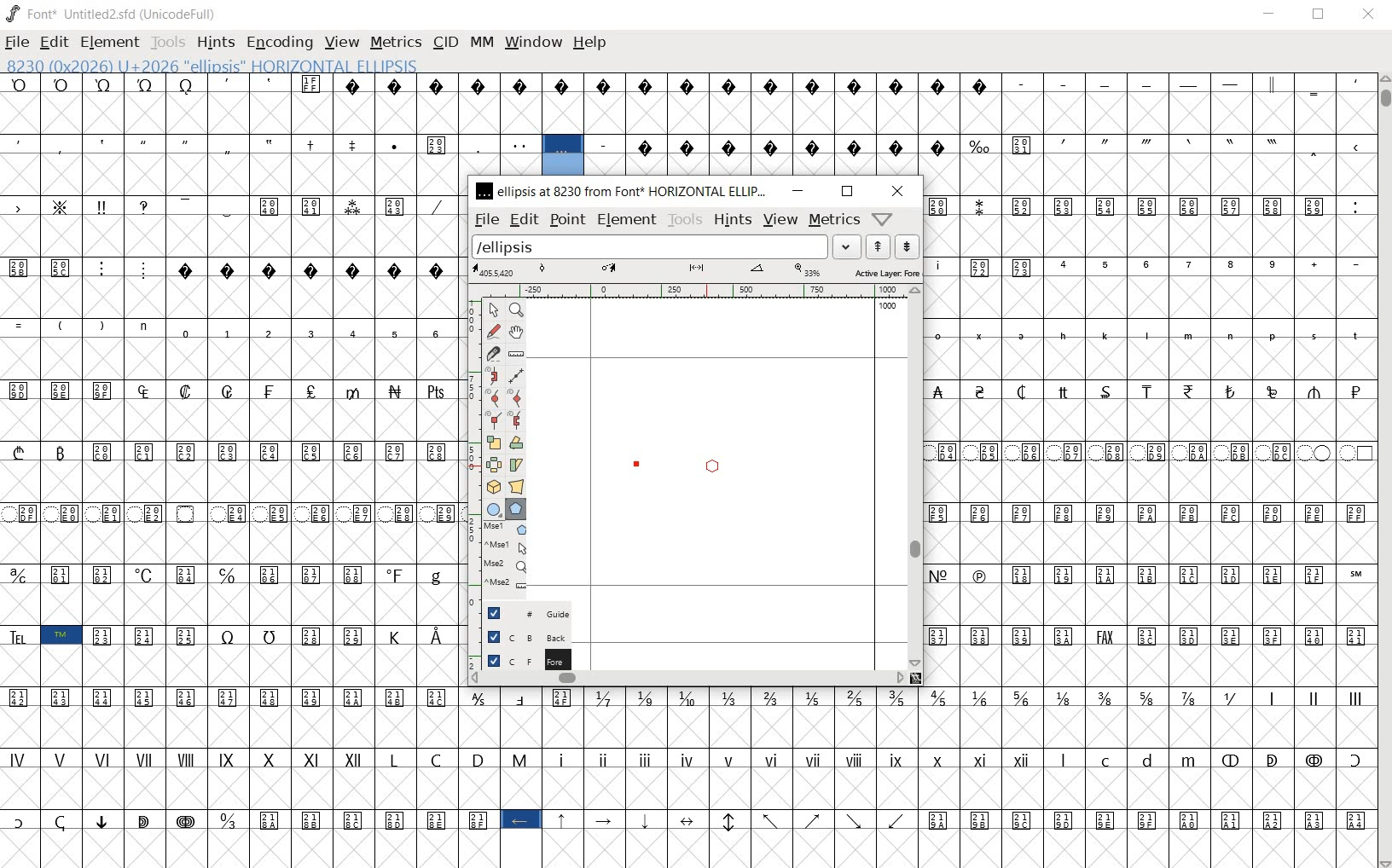 Image resolution: width=1392 pixels, height=868 pixels. What do you see at coordinates (896, 190) in the screenshot?
I see `close` at bounding box center [896, 190].